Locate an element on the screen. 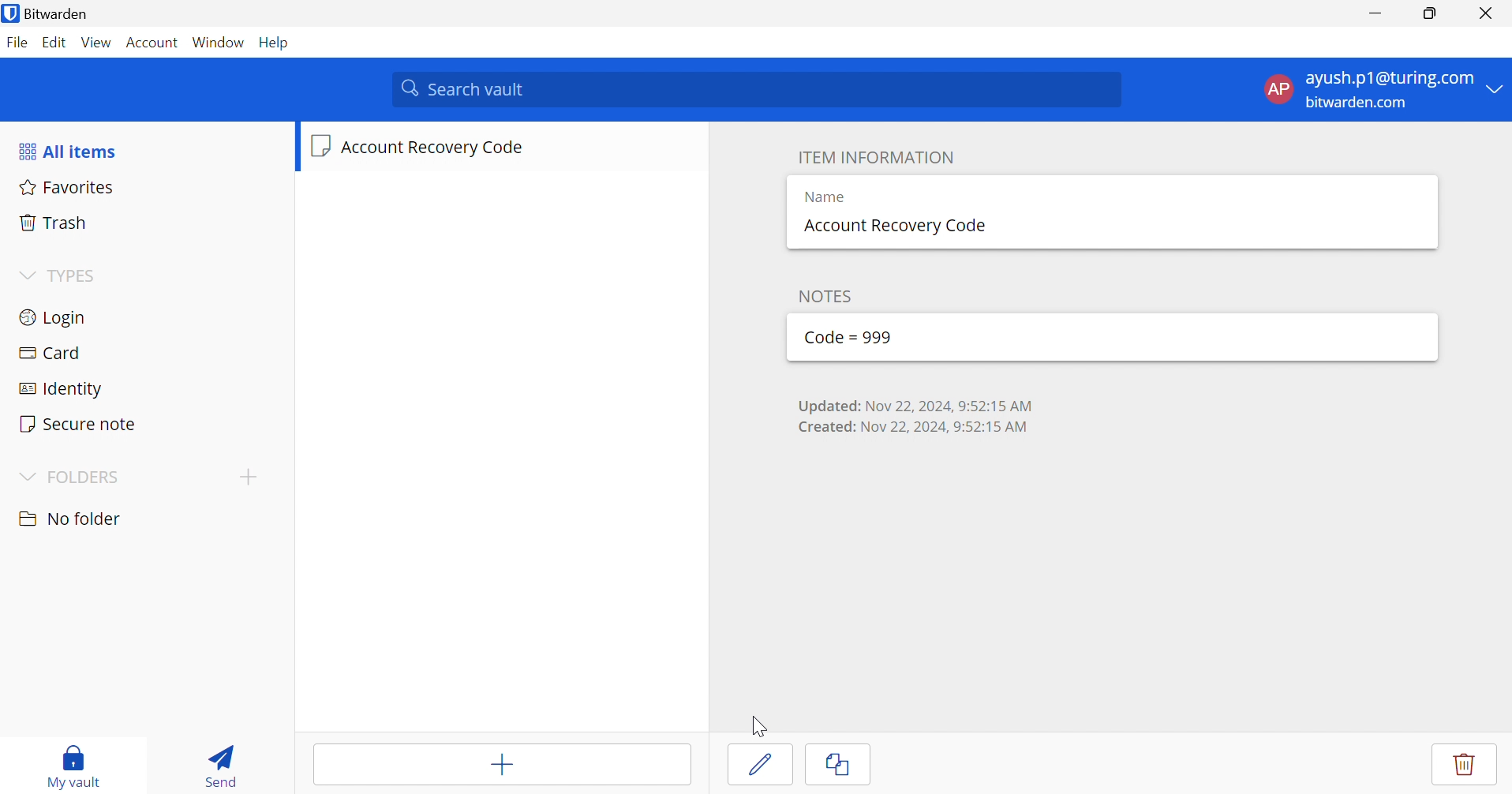 The width and height of the screenshot is (1512, 794). Edit is located at coordinates (758, 764).